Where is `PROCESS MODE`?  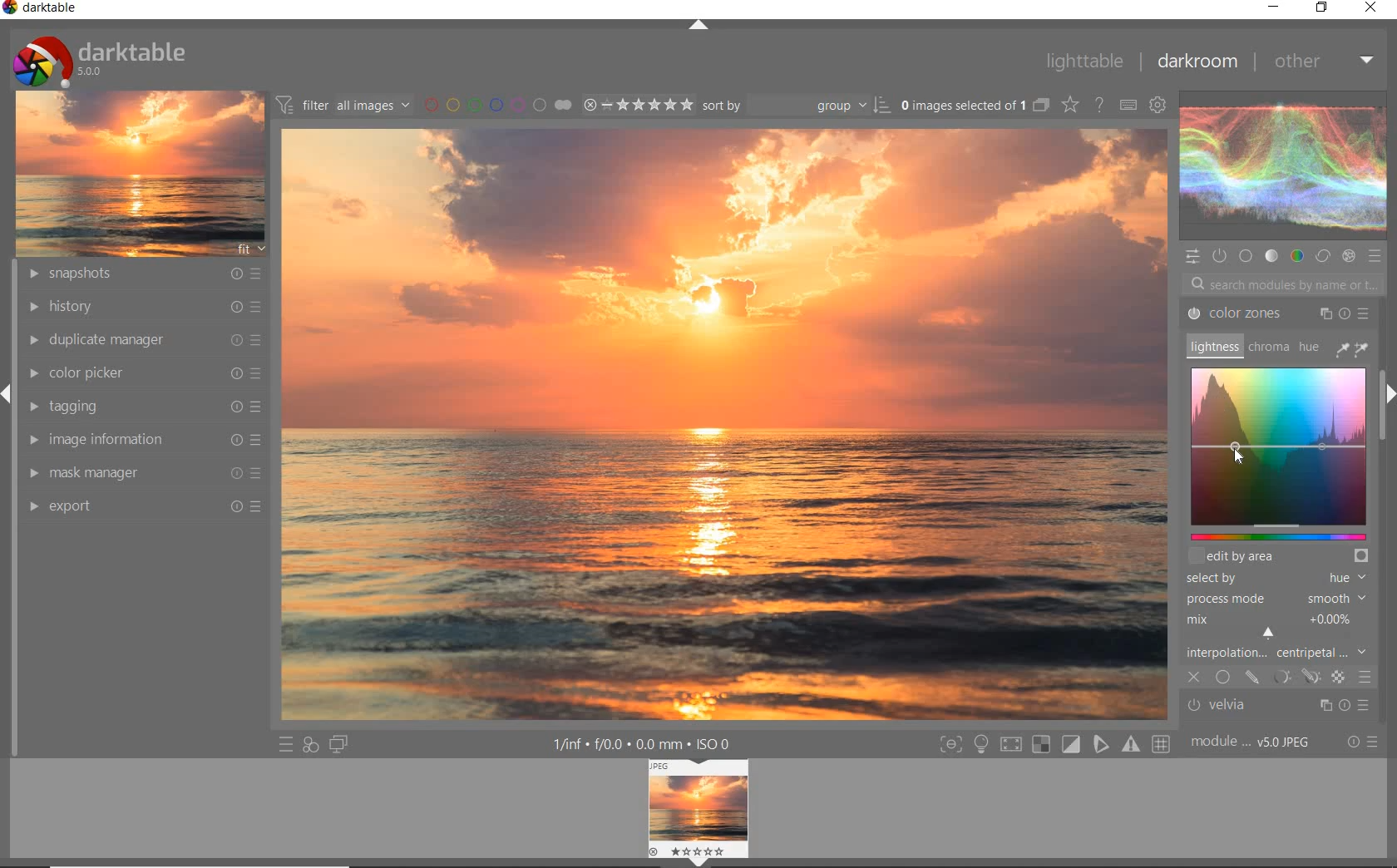
PROCESS MODE is located at coordinates (1278, 599).